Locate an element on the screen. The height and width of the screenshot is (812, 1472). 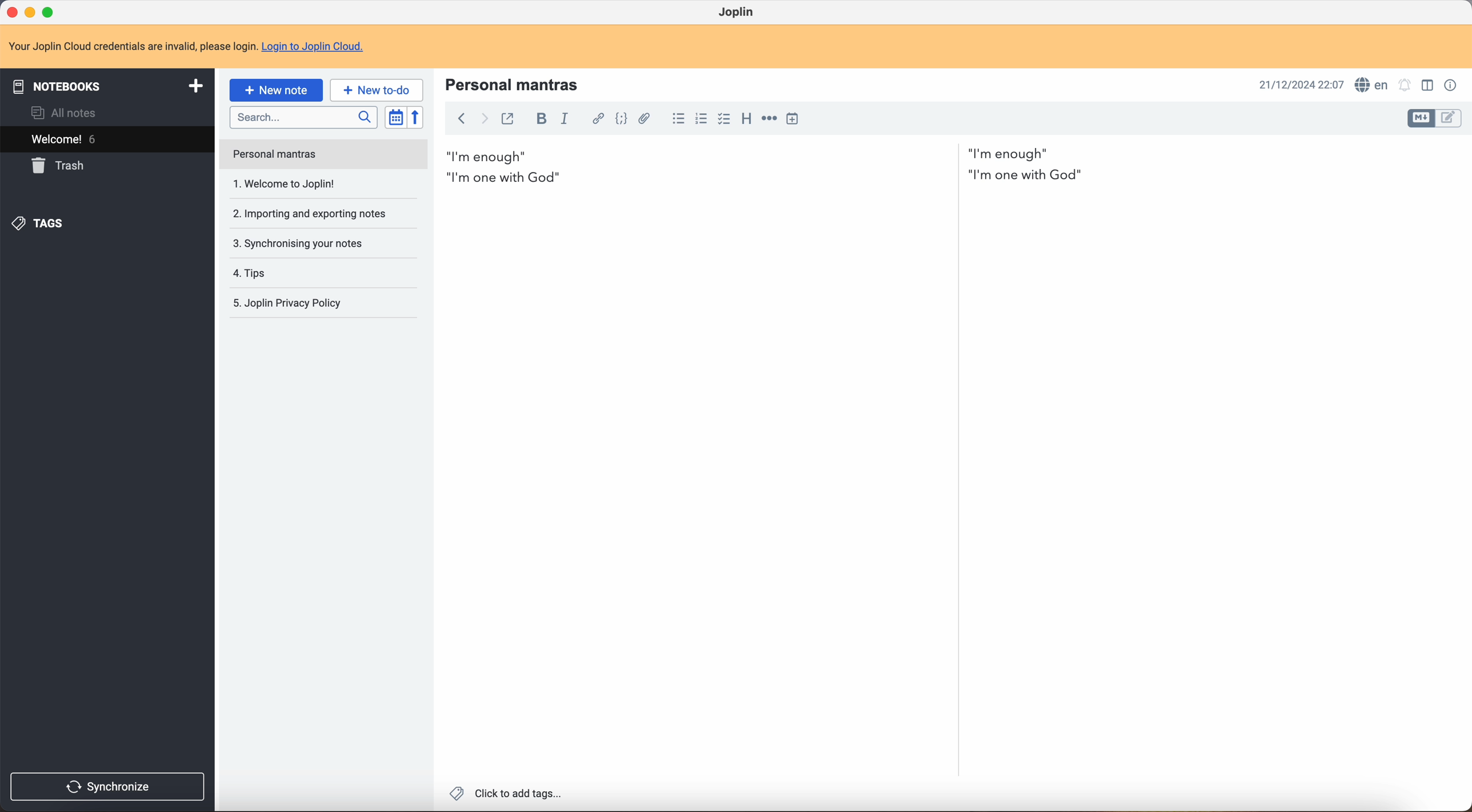
click to add tags is located at coordinates (504, 795).